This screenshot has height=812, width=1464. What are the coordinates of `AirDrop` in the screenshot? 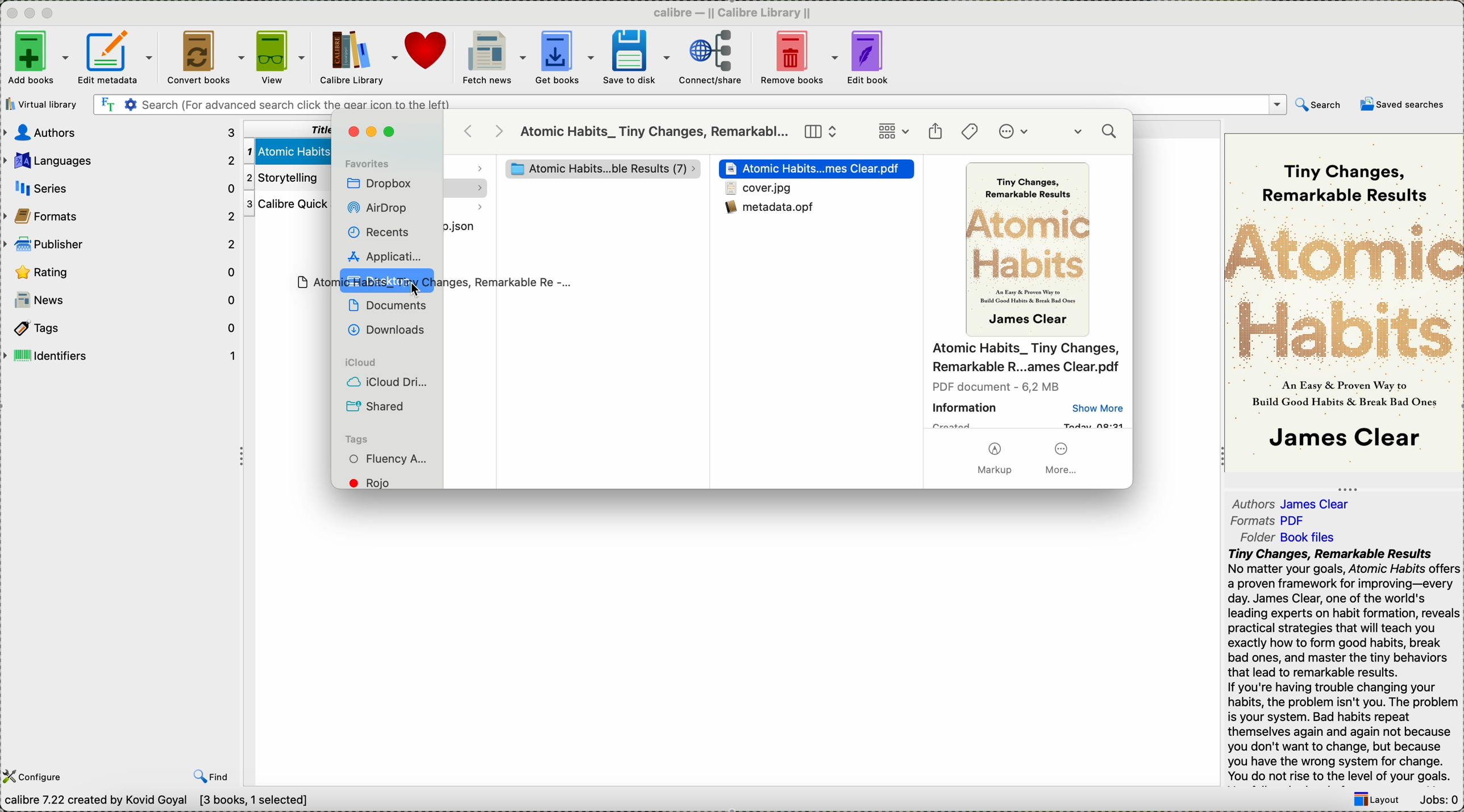 It's located at (380, 209).